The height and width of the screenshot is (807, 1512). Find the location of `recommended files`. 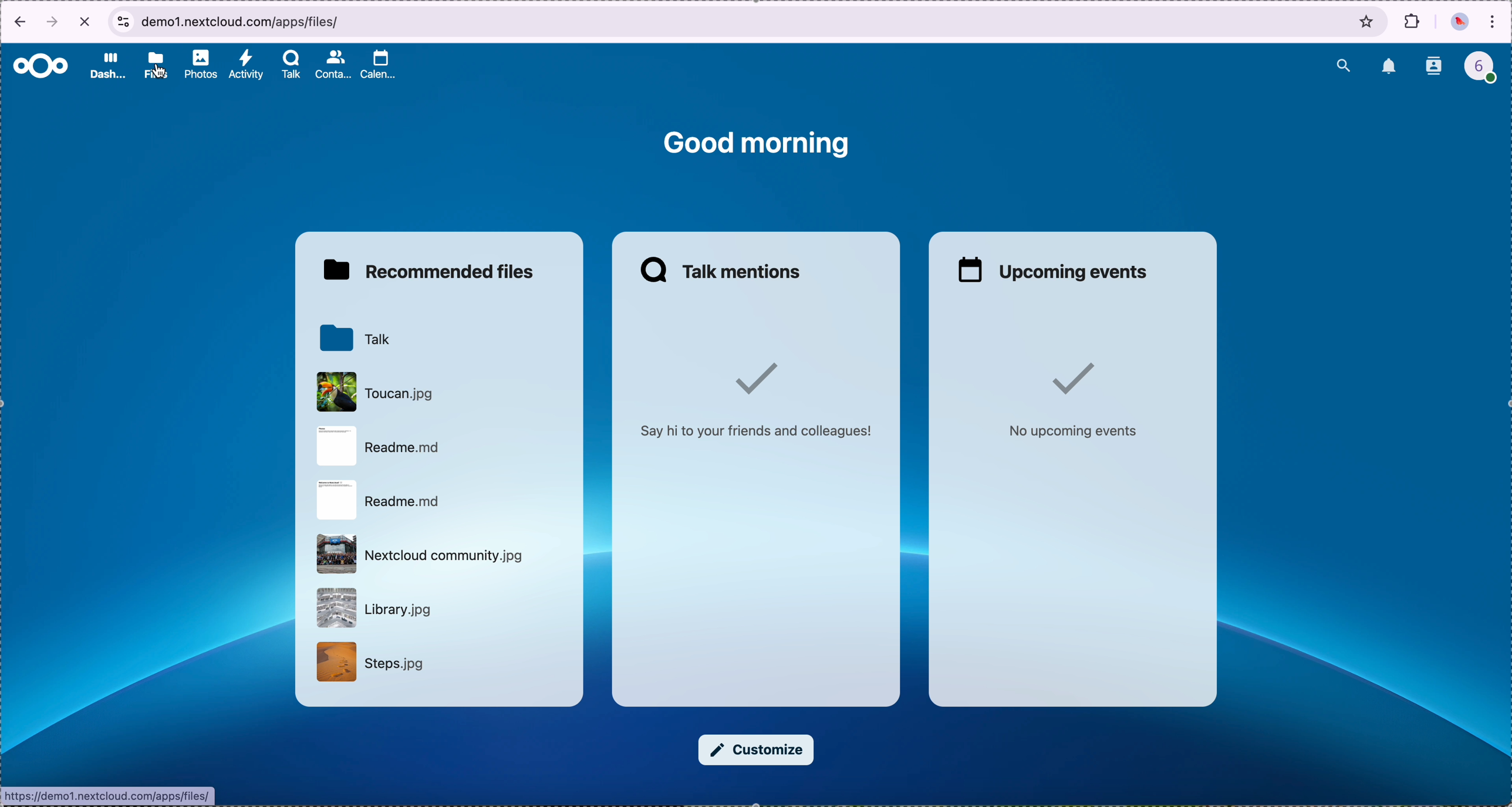

recommended files is located at coordinates (434, 271).